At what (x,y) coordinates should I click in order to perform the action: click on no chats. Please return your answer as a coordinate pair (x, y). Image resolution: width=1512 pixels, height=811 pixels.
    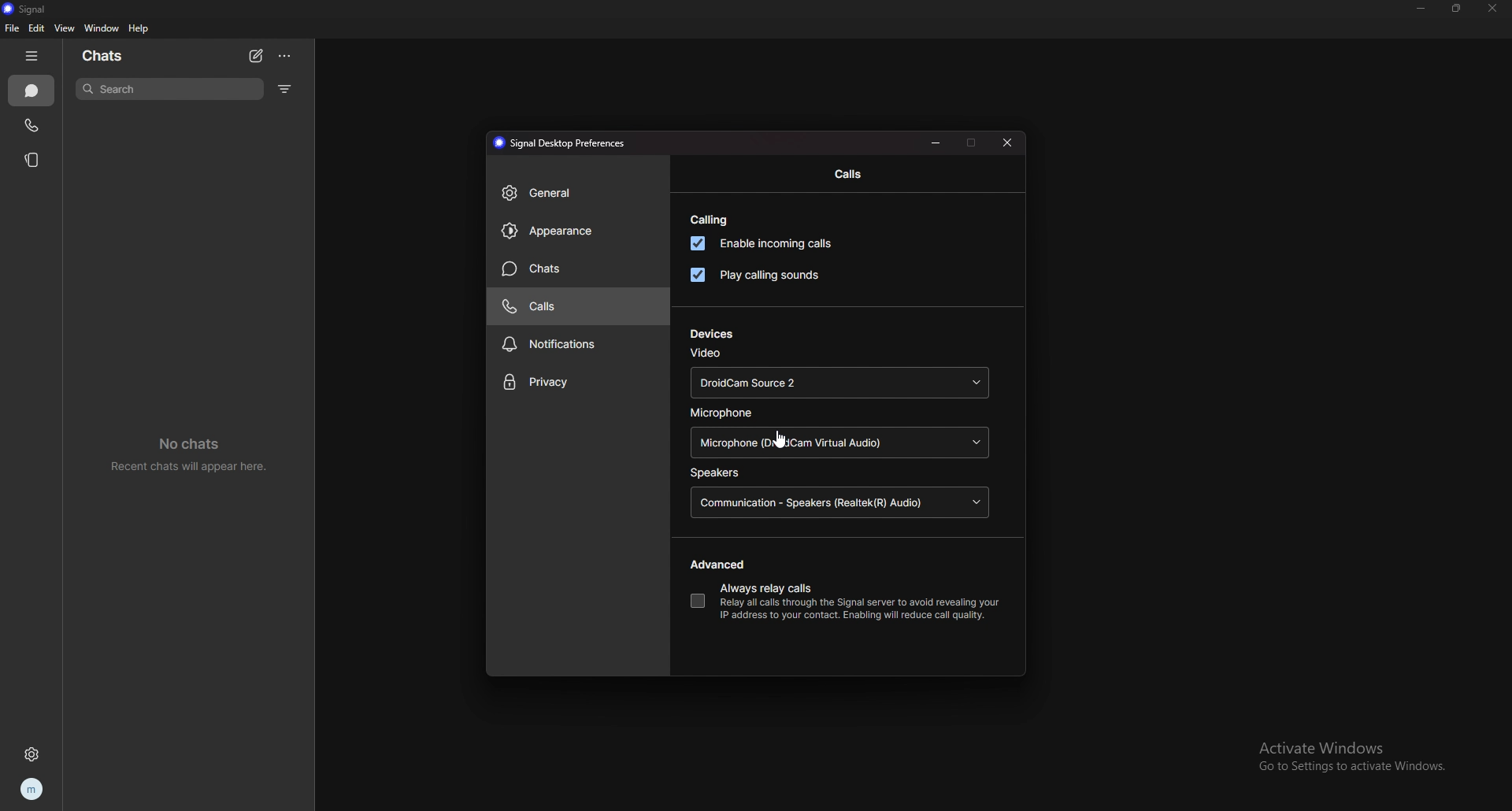
    Looking at the image, I should click on (196, 454).